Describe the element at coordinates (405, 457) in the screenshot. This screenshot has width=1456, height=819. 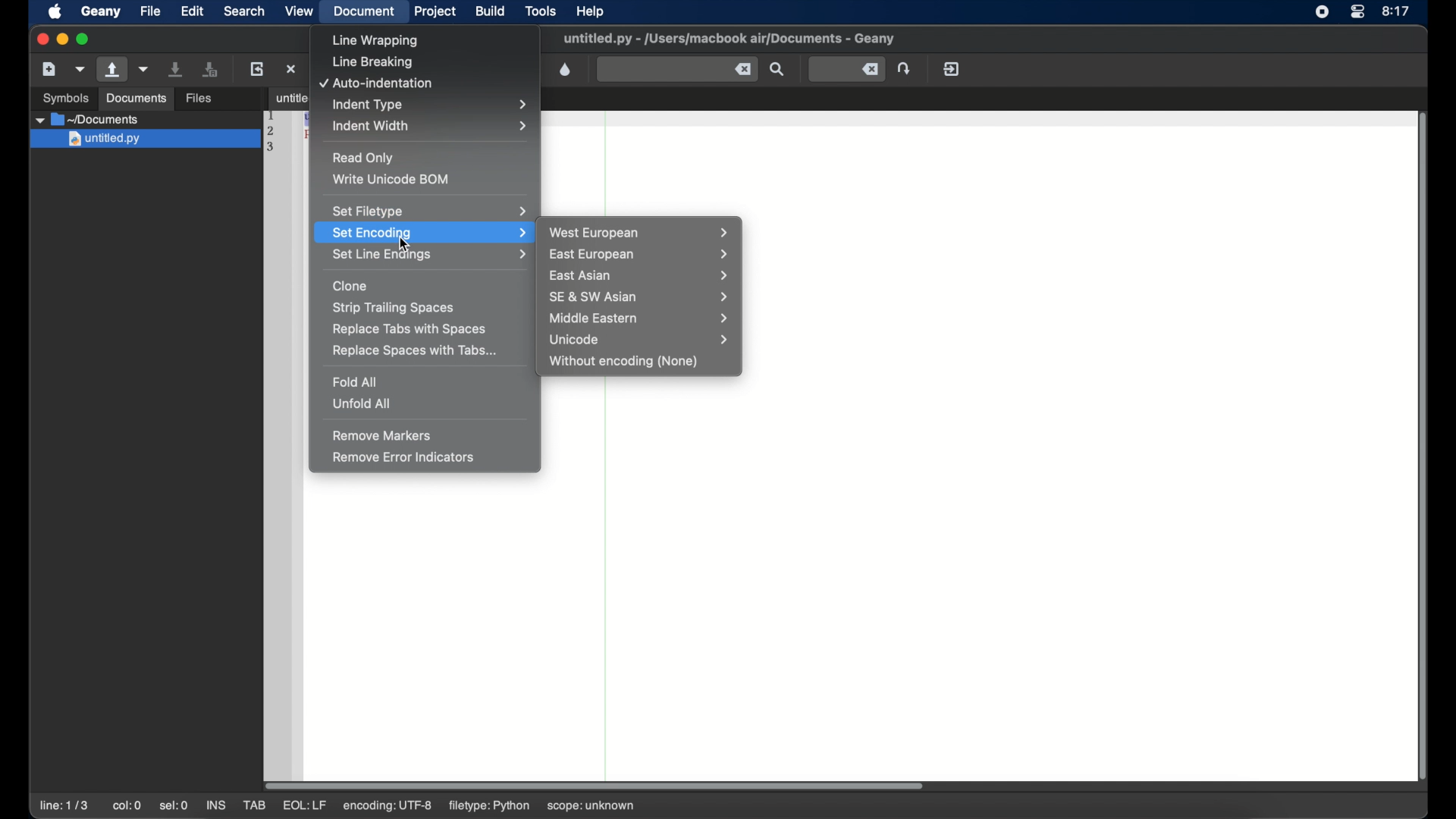
I see `remove error indicators` at that location.